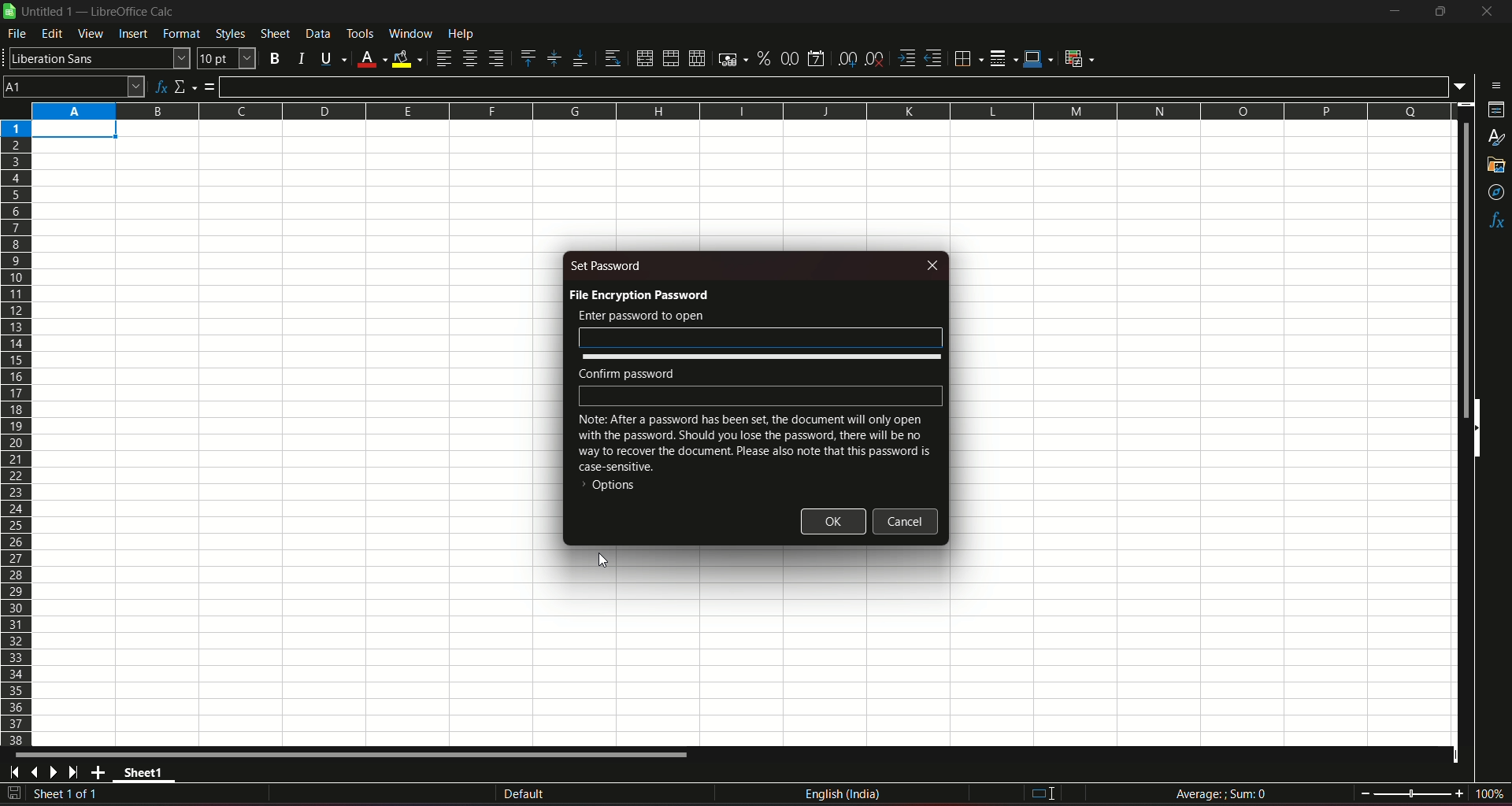 This screenshot has width=1512, height=806. Describe the element at coordinates (9, 13) in the screenshot. I see `libreoffice calc logo` at that location.